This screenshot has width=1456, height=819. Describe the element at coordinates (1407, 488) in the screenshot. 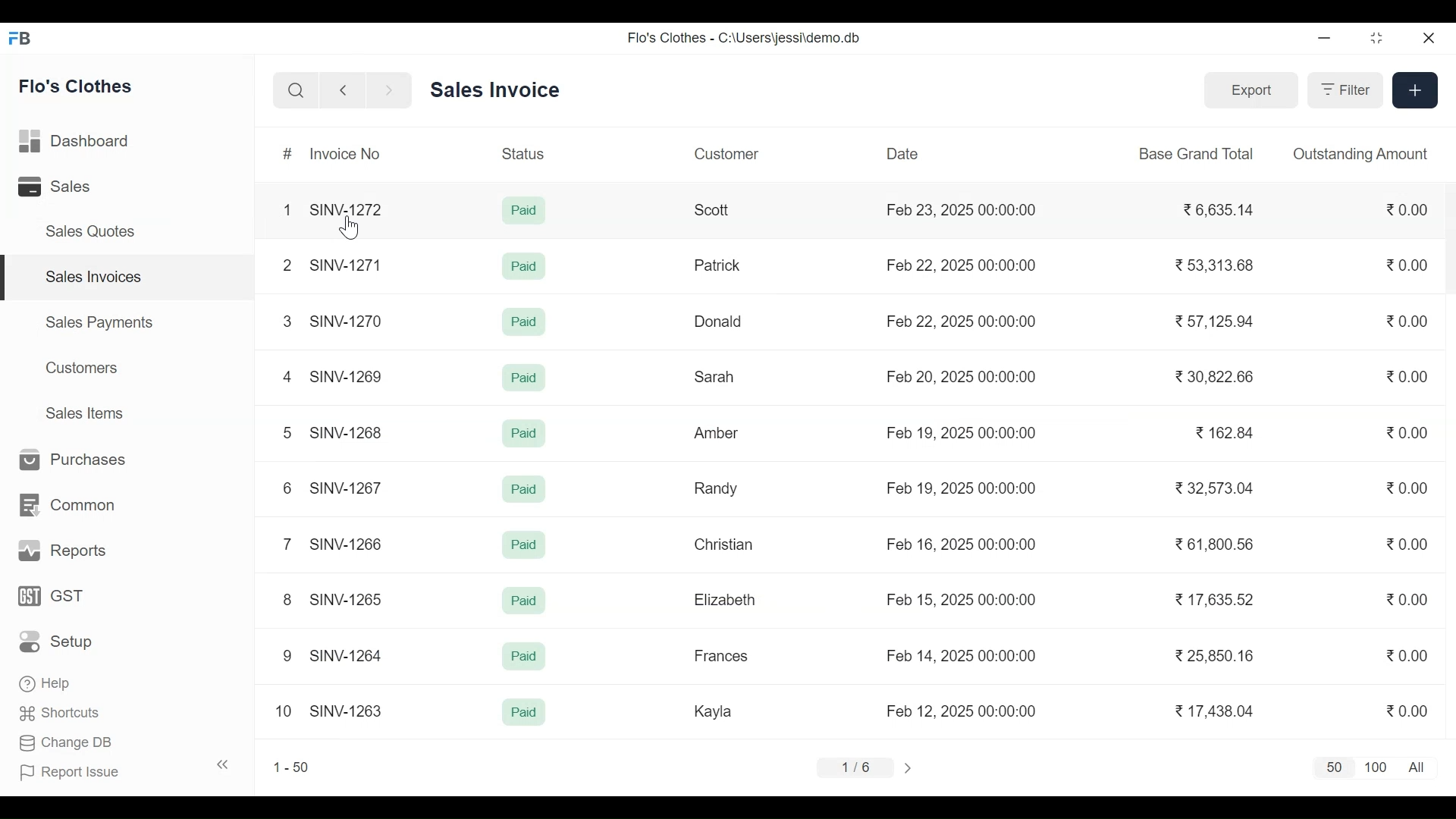

I see `0.00` at that location.